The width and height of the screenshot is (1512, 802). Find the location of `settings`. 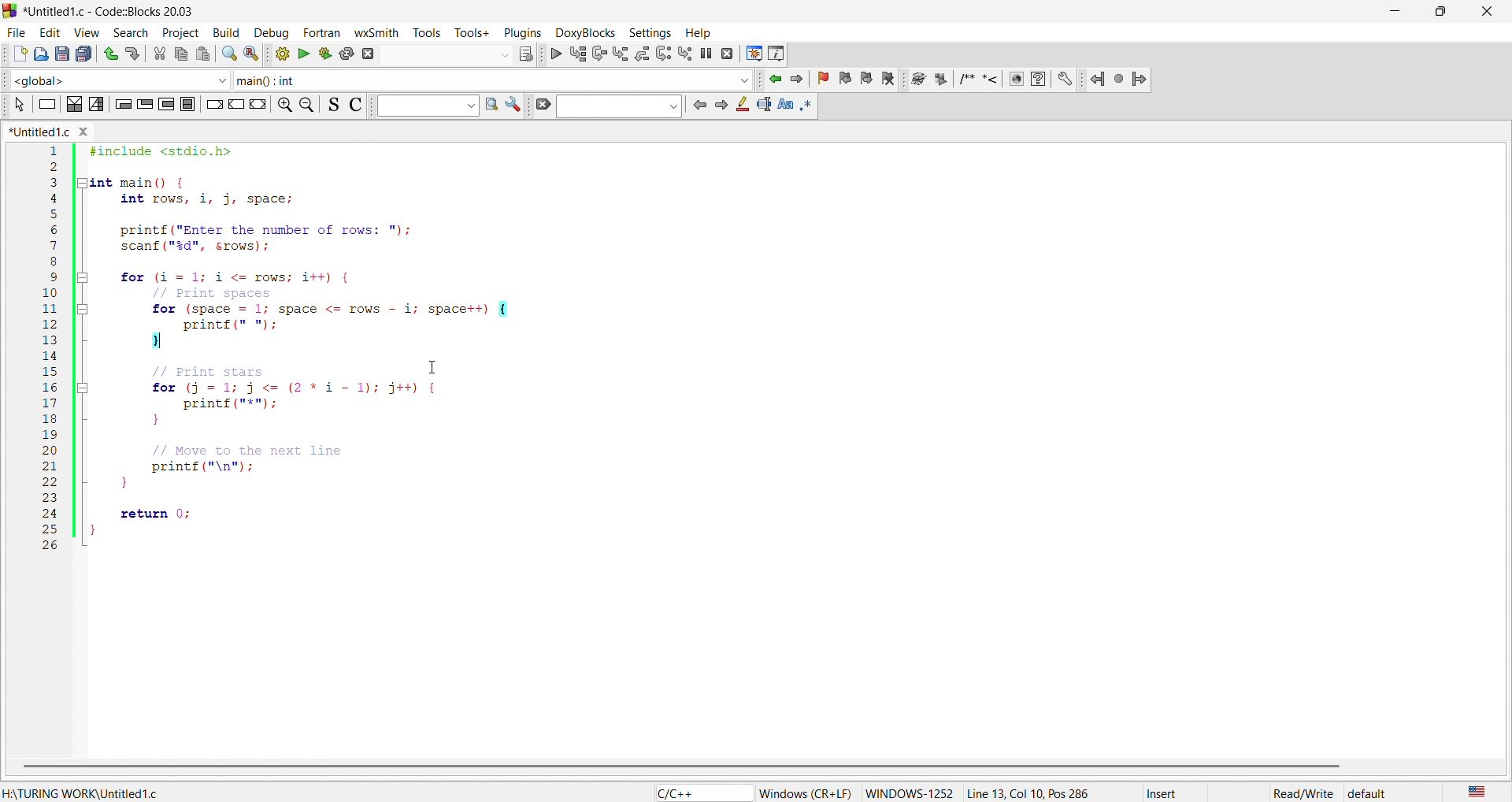

settings is located at coordinates (646, 31).